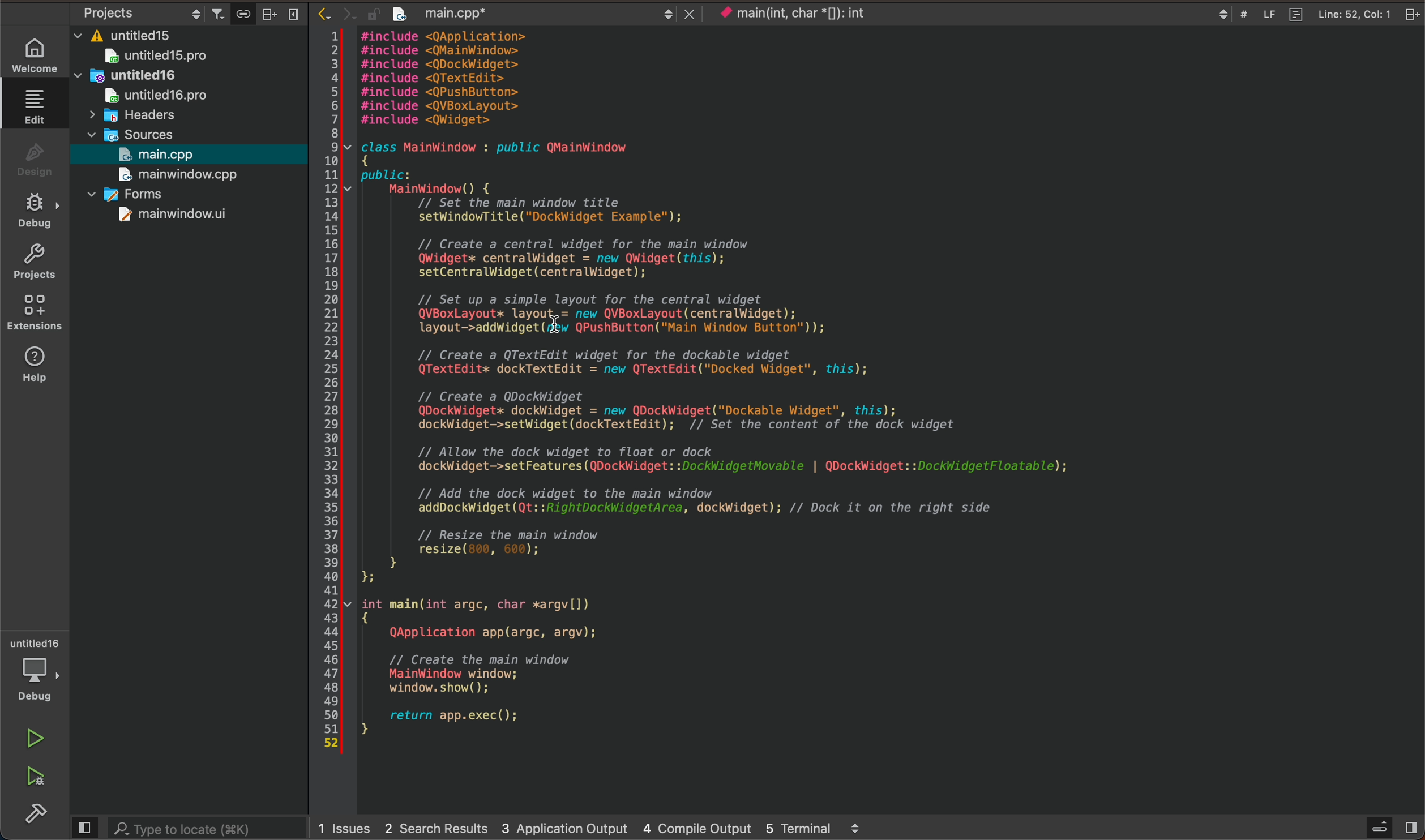  What do you see at coordinates (35, 49) in the screenshot?
I see `welcome` at bounding box center [35, 49].